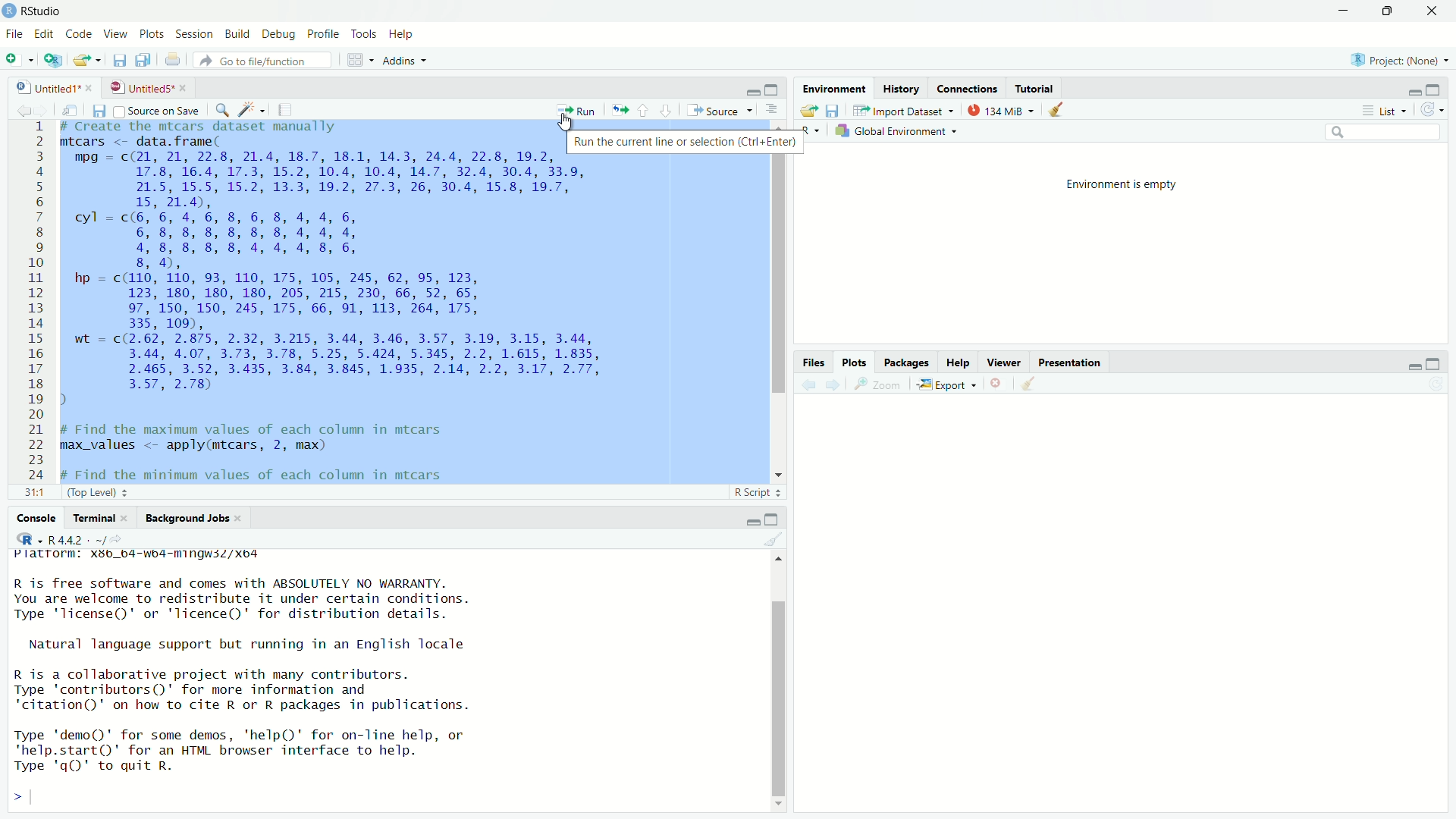 The image size is (1456, 819). What do you see at coordinates (718, 110) in the screenshot?
I see `+ Source ~` at bounding box center [718, 110].